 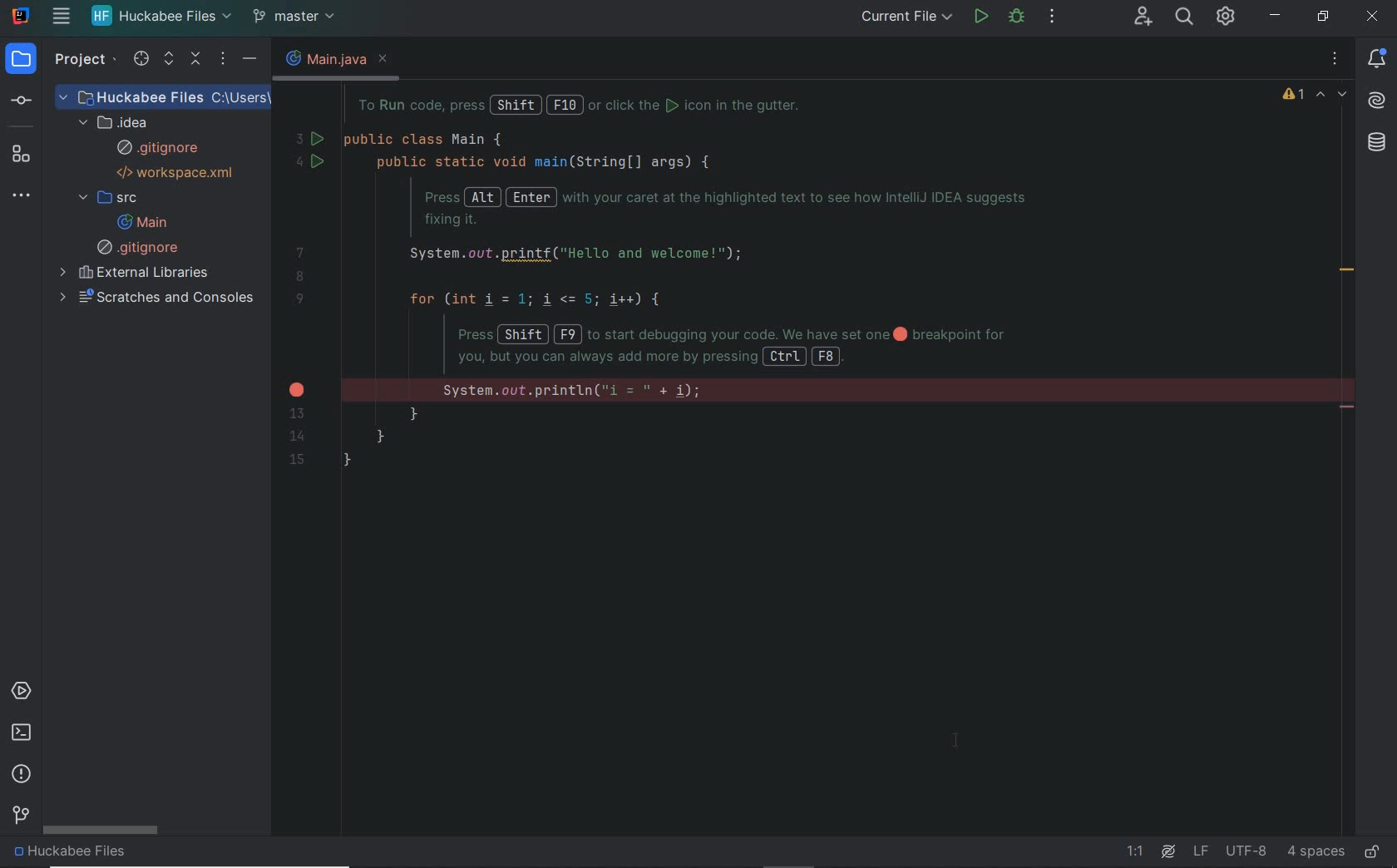 What do you see at coordinates (158, 149) in the screenshot?
I see `.gitignore` at bounding box center [158, 149].